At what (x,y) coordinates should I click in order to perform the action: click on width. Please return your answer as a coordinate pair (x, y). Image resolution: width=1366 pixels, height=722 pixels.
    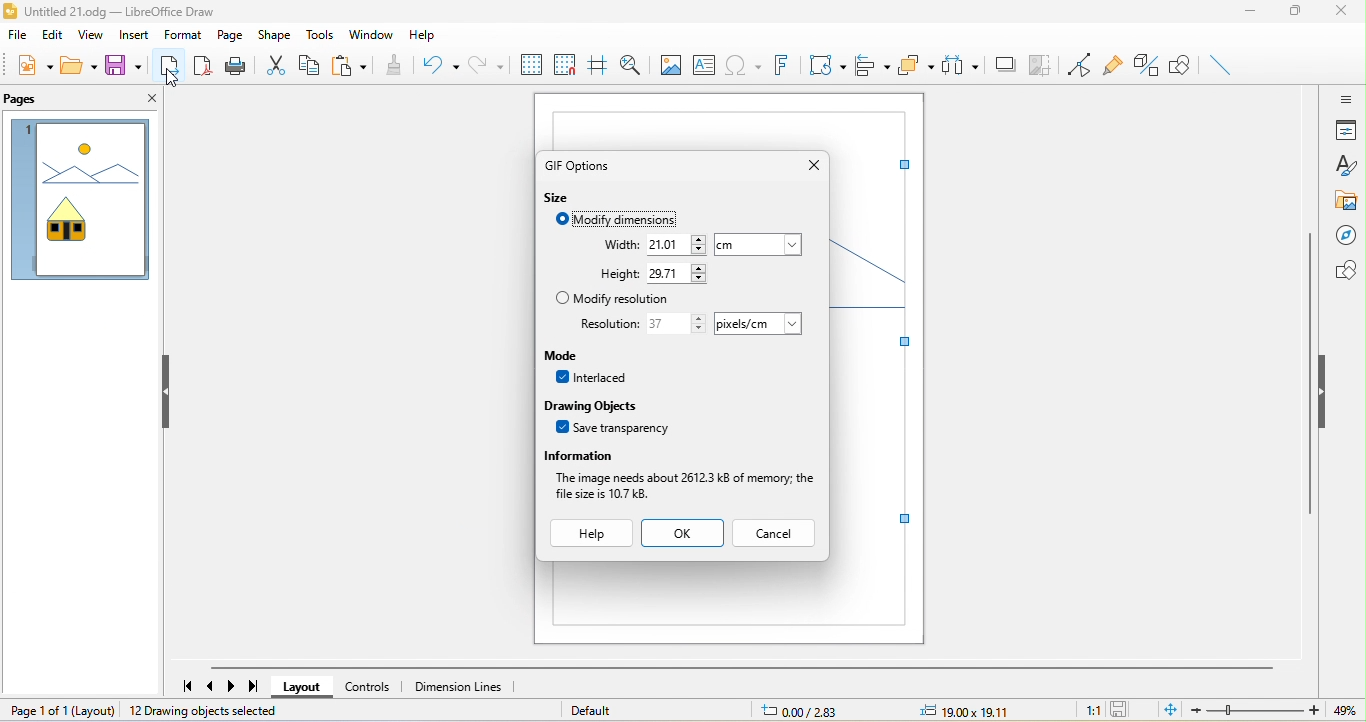
    Looking at the image, I should click on (605, 244).